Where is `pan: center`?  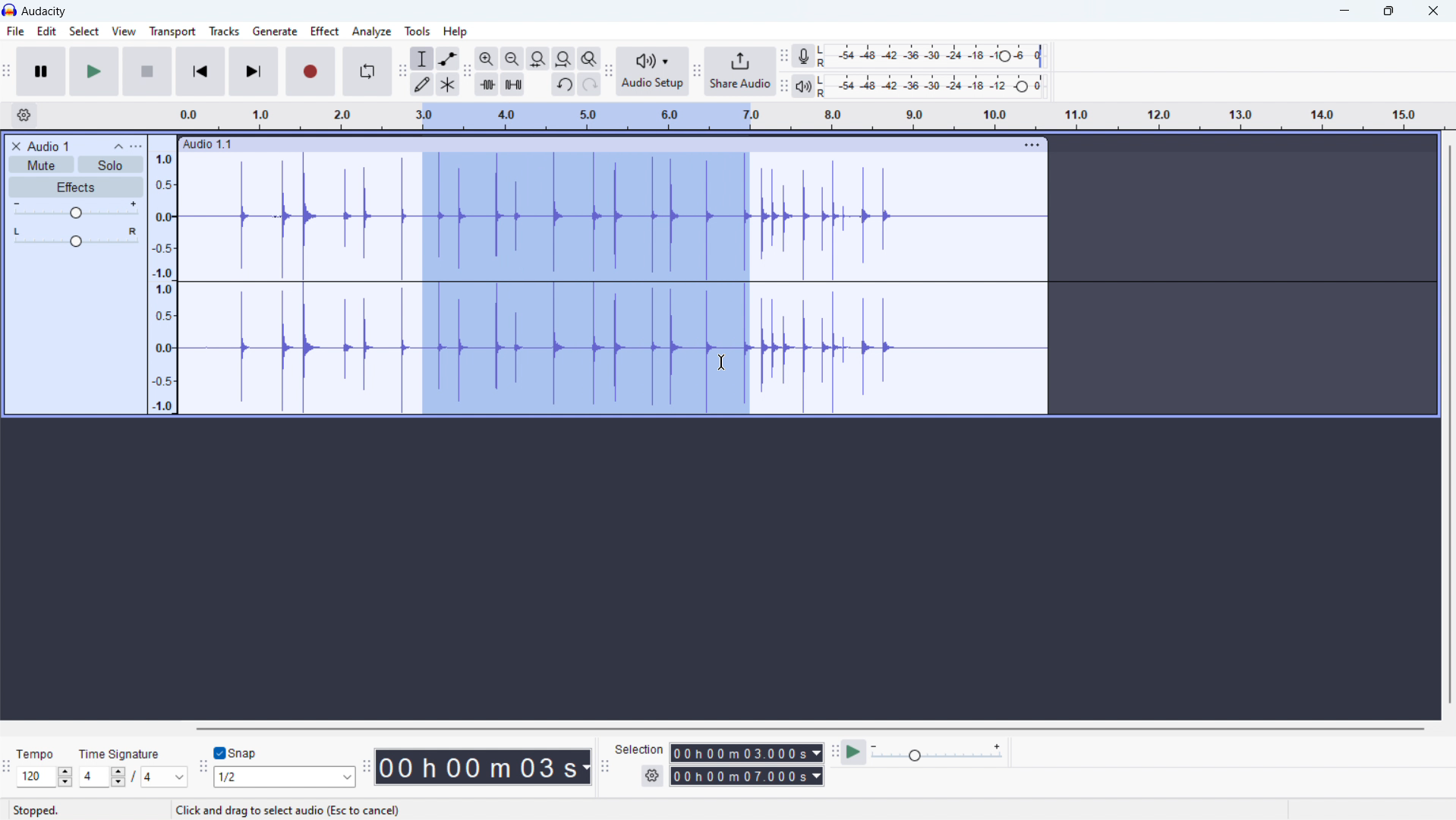
pan: center is located at coordinates (76, 237).